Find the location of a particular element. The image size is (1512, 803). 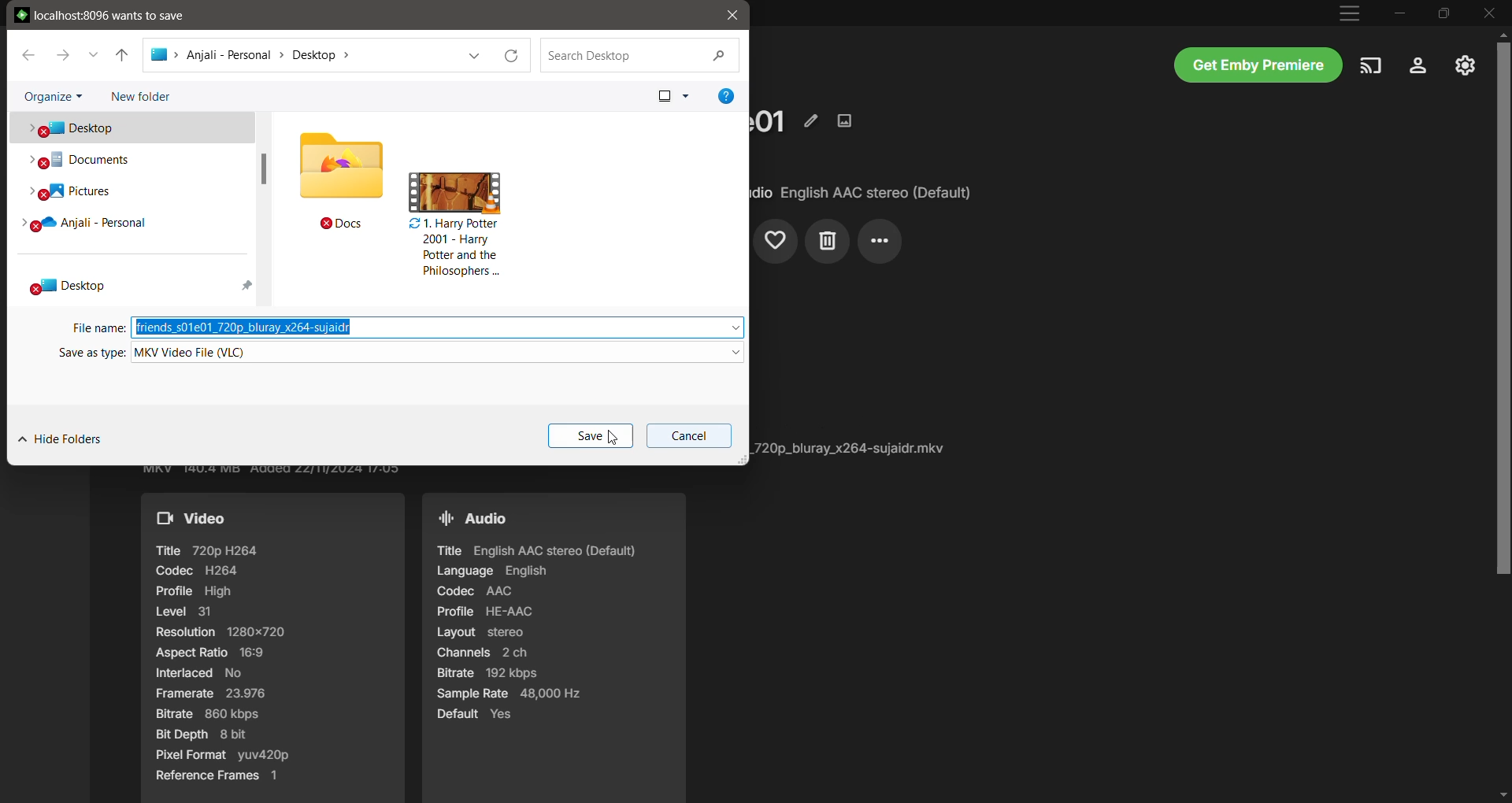

Edit Images is located at coordinates (847, 120).